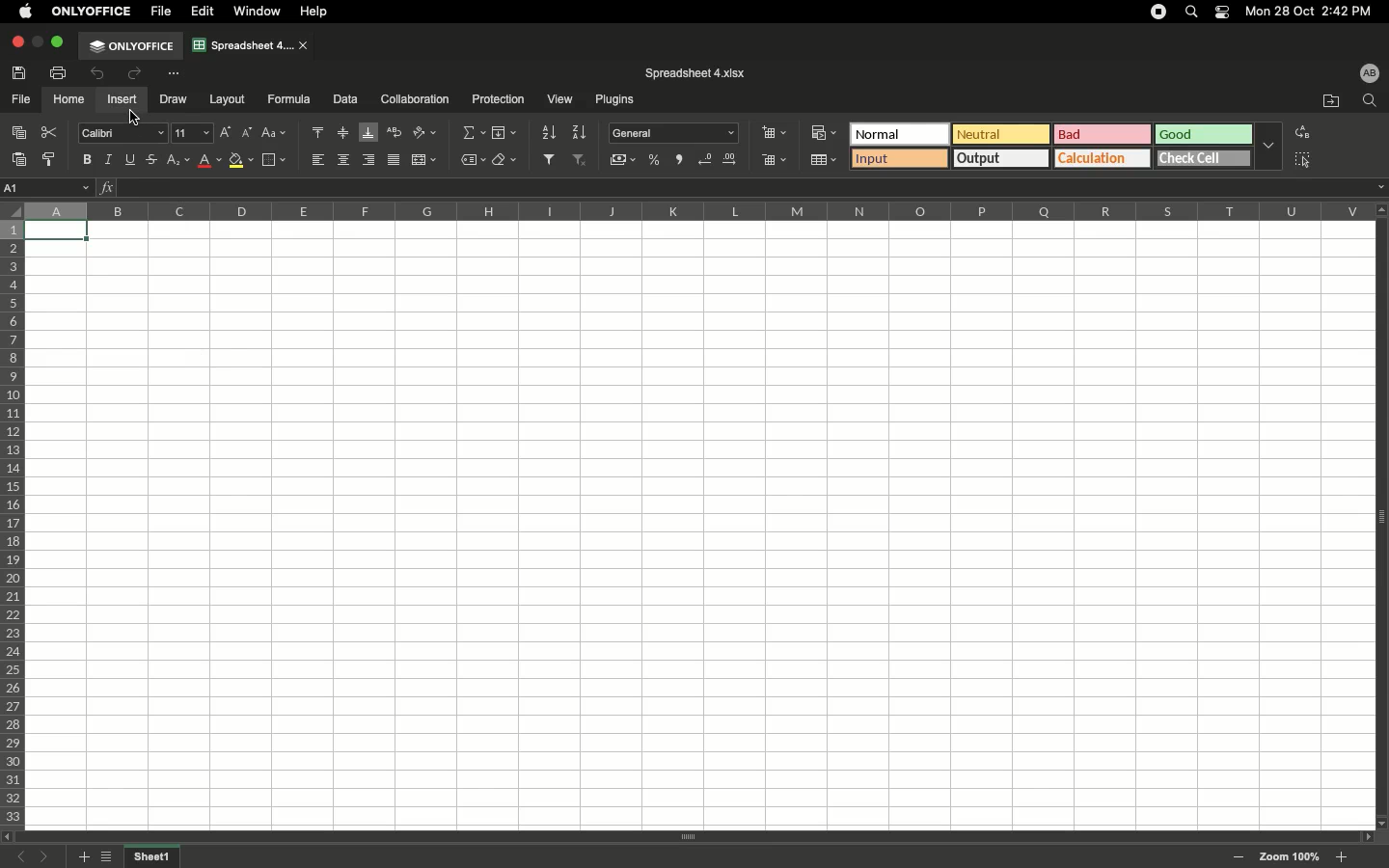 This screenshot has height=868, width=1389. Describe the element at coordinates (211, 161) in the screenshot. I see `Font color` at that location.